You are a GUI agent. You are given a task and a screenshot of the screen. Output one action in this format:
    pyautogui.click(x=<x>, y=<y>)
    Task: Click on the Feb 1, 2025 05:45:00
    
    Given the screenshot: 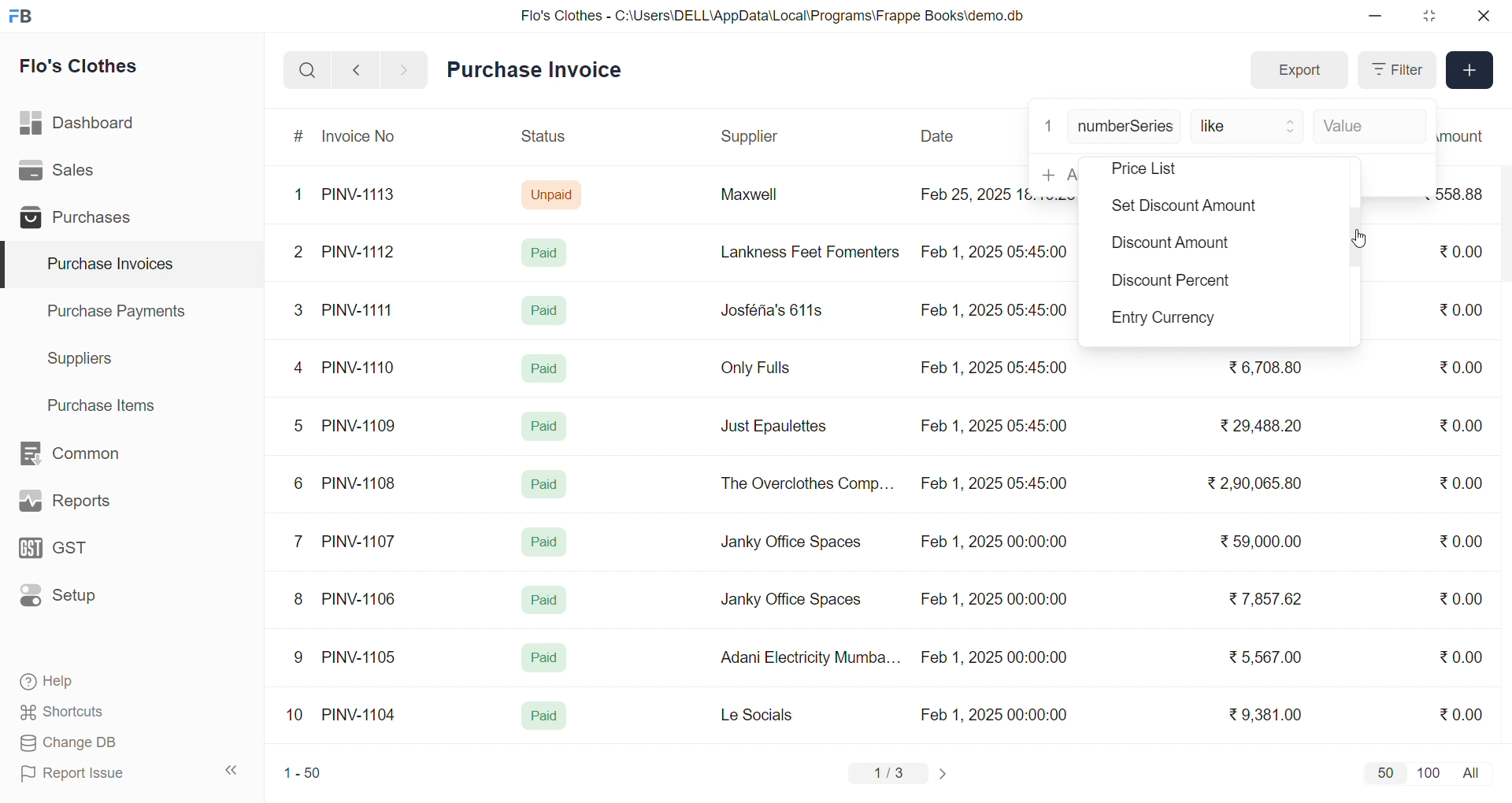 What is the action you would take?
    pyautogui.click(x=996, y=368)
    